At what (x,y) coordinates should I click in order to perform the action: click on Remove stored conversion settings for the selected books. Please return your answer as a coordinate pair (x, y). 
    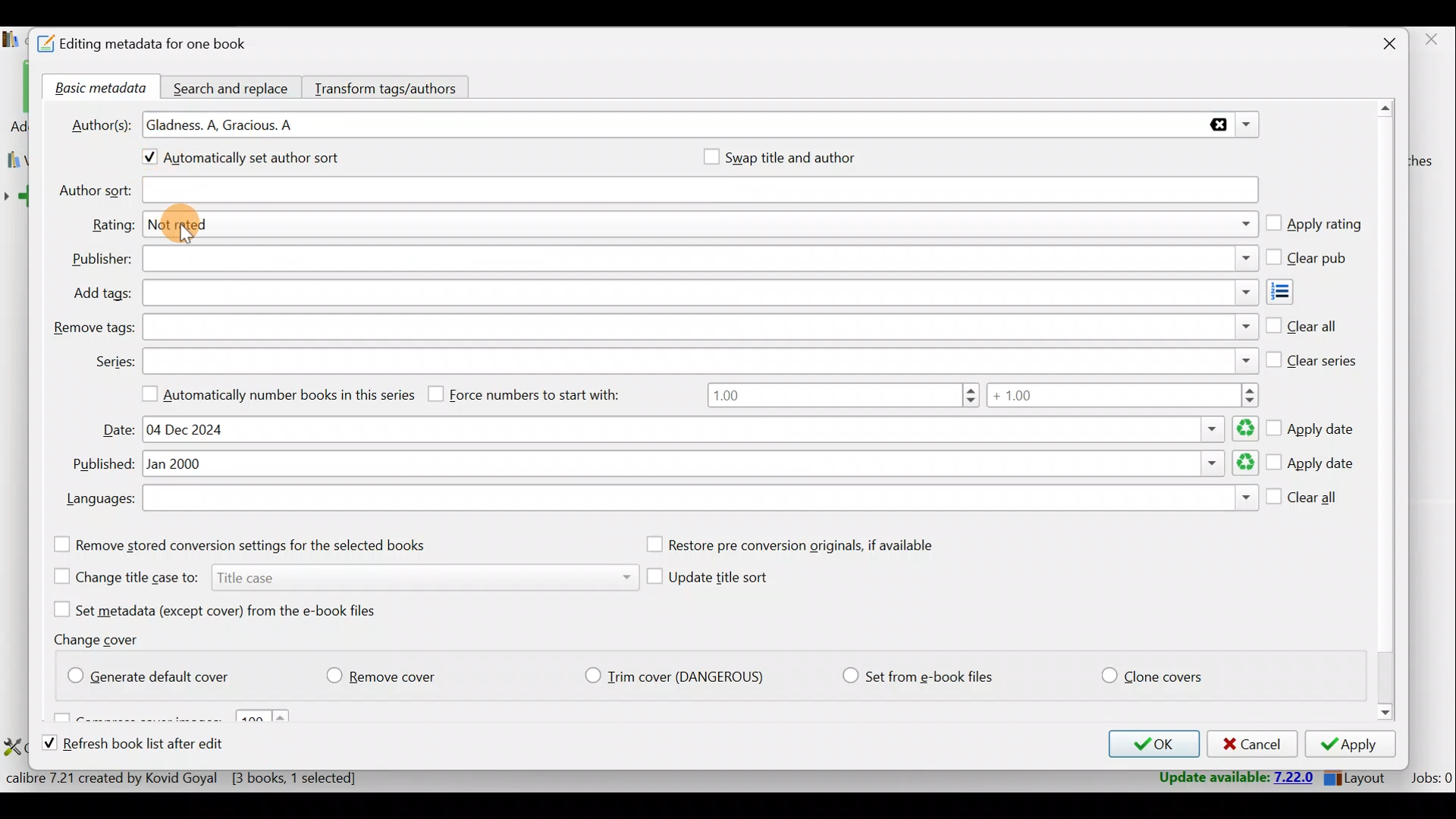
    Looking at the image, I should click on (260, 544).